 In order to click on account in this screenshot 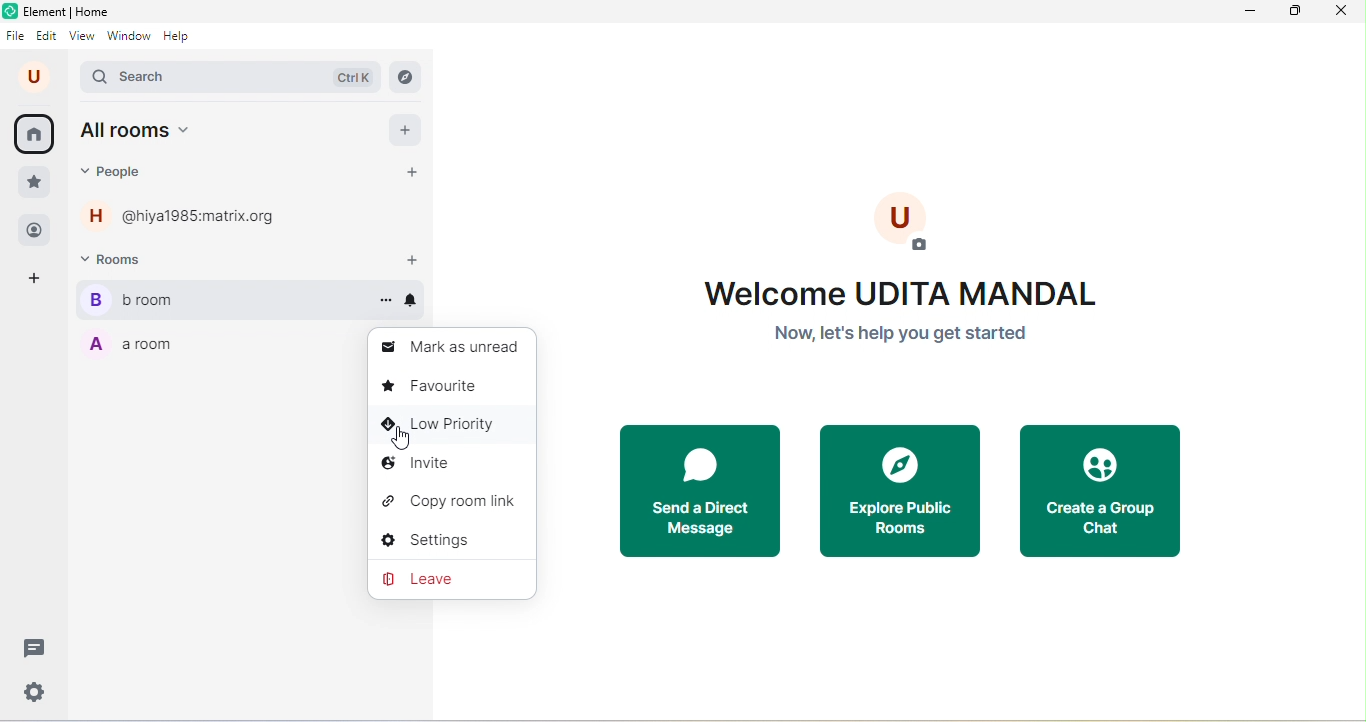, I will do `click(34, 76)`.